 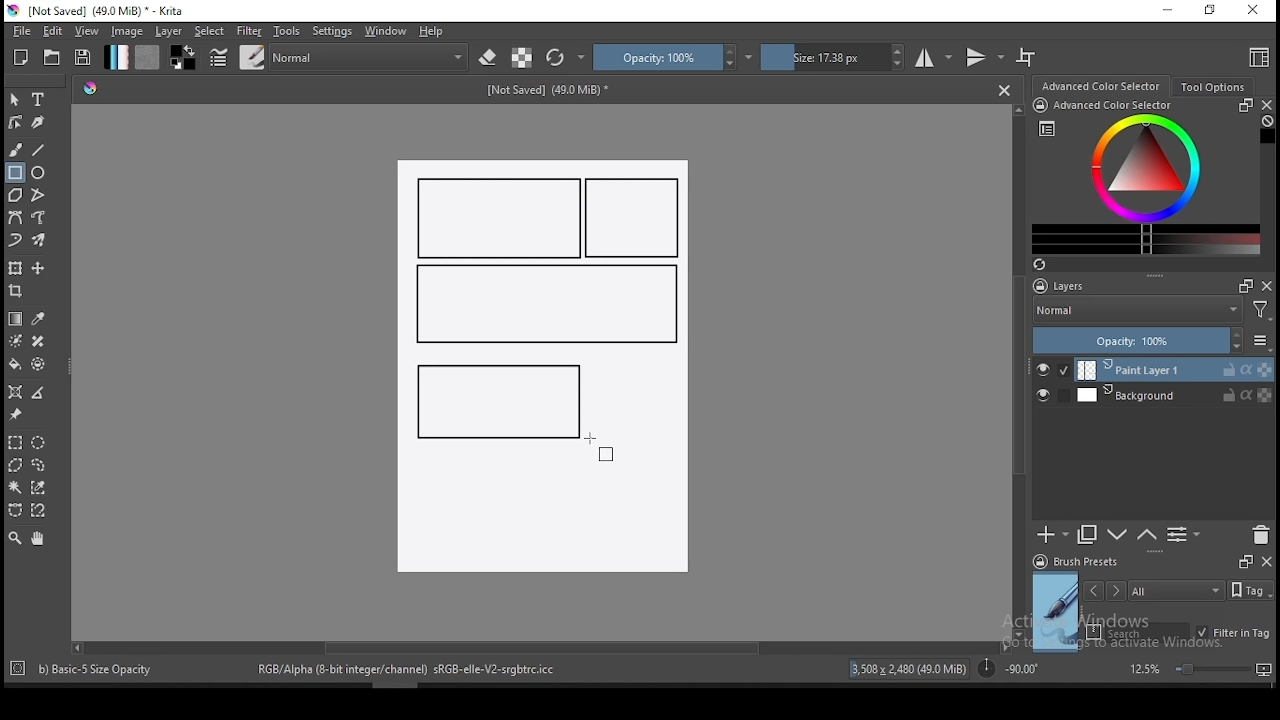 I want to click on rectangle tool, so click(x=15, y=173).